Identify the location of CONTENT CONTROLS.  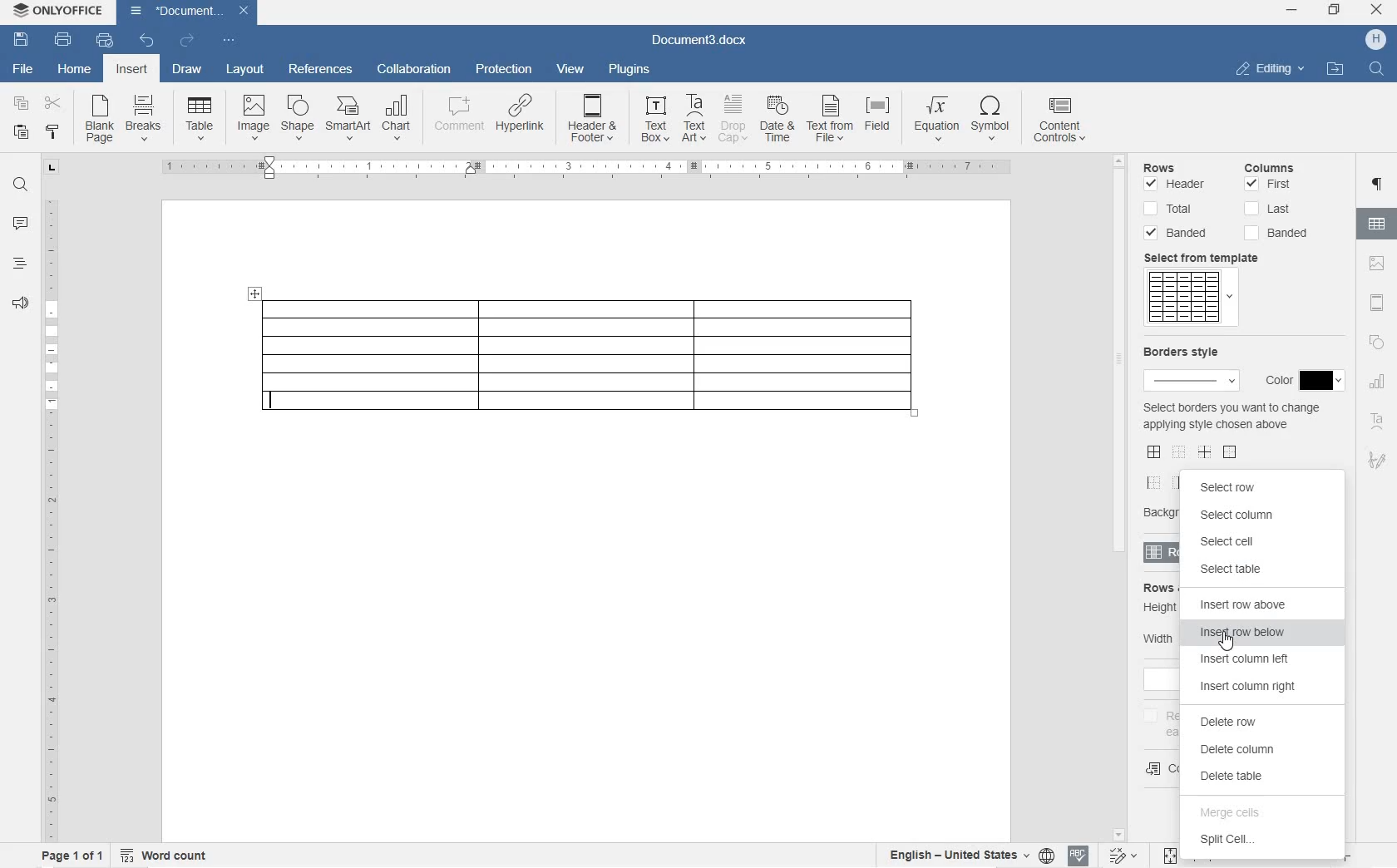
(1069, 122).